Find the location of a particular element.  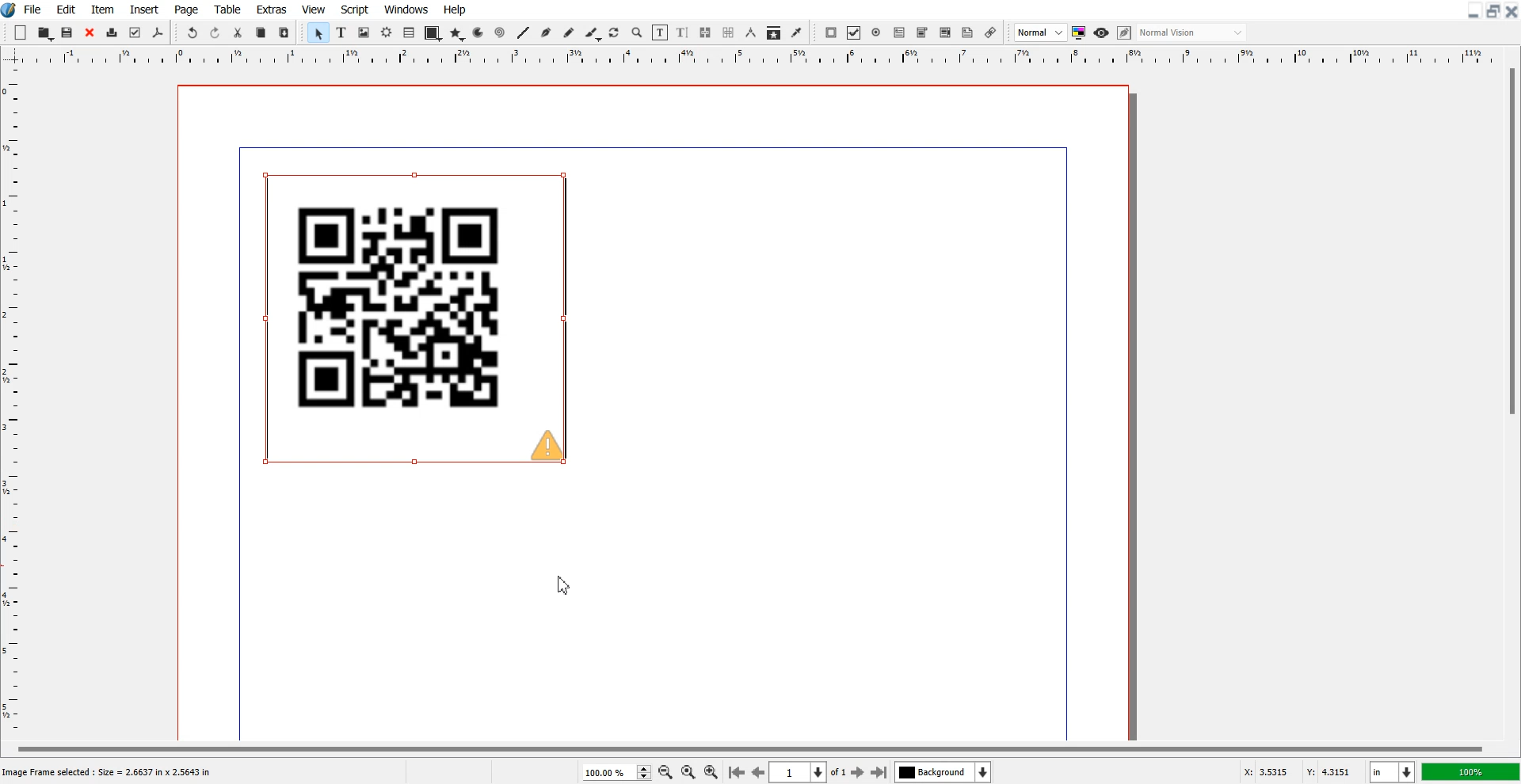

Preflight verifier is located at coordinates (135, 33).